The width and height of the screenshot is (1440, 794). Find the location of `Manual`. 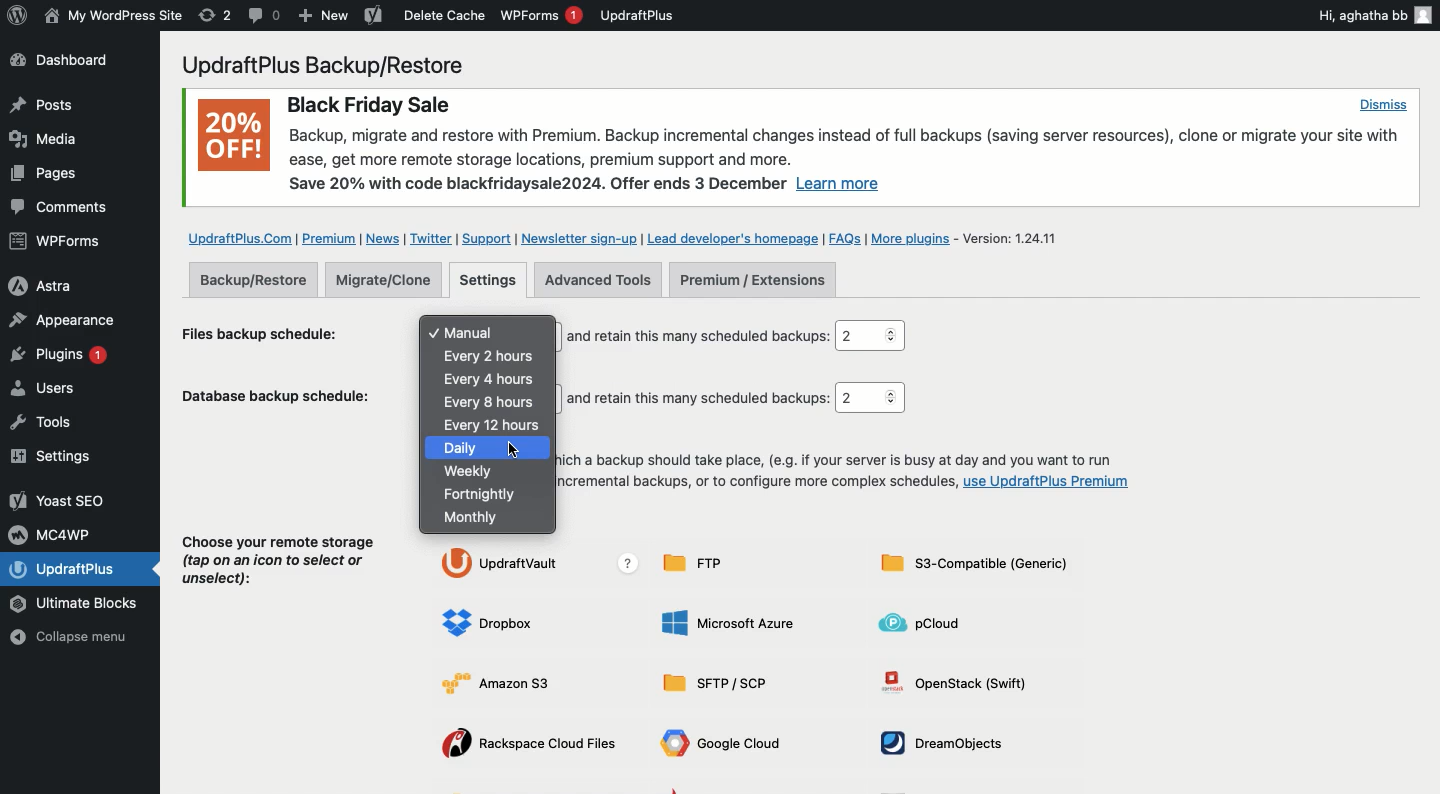

Manual is located at coordinates (495, 333).